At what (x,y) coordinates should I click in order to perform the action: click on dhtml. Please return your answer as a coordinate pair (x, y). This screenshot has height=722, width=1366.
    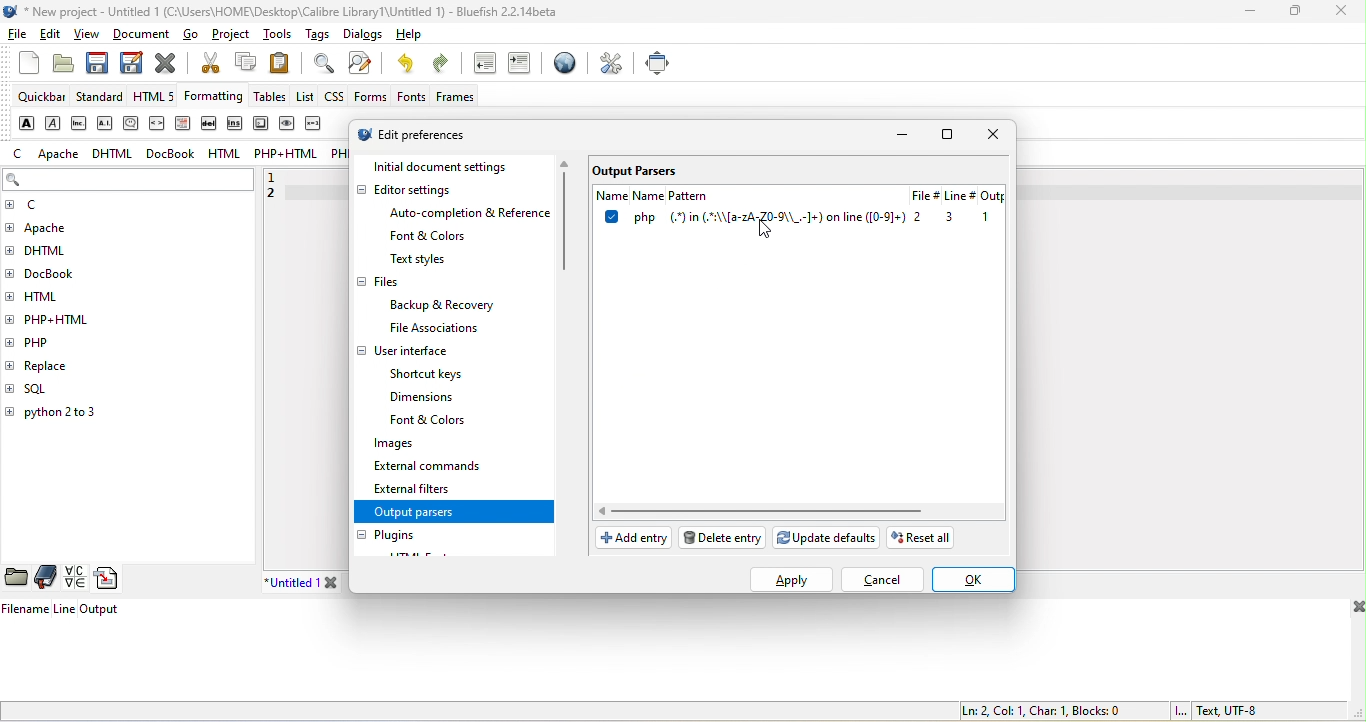
    Looking at the image, I should click on (115, 154).